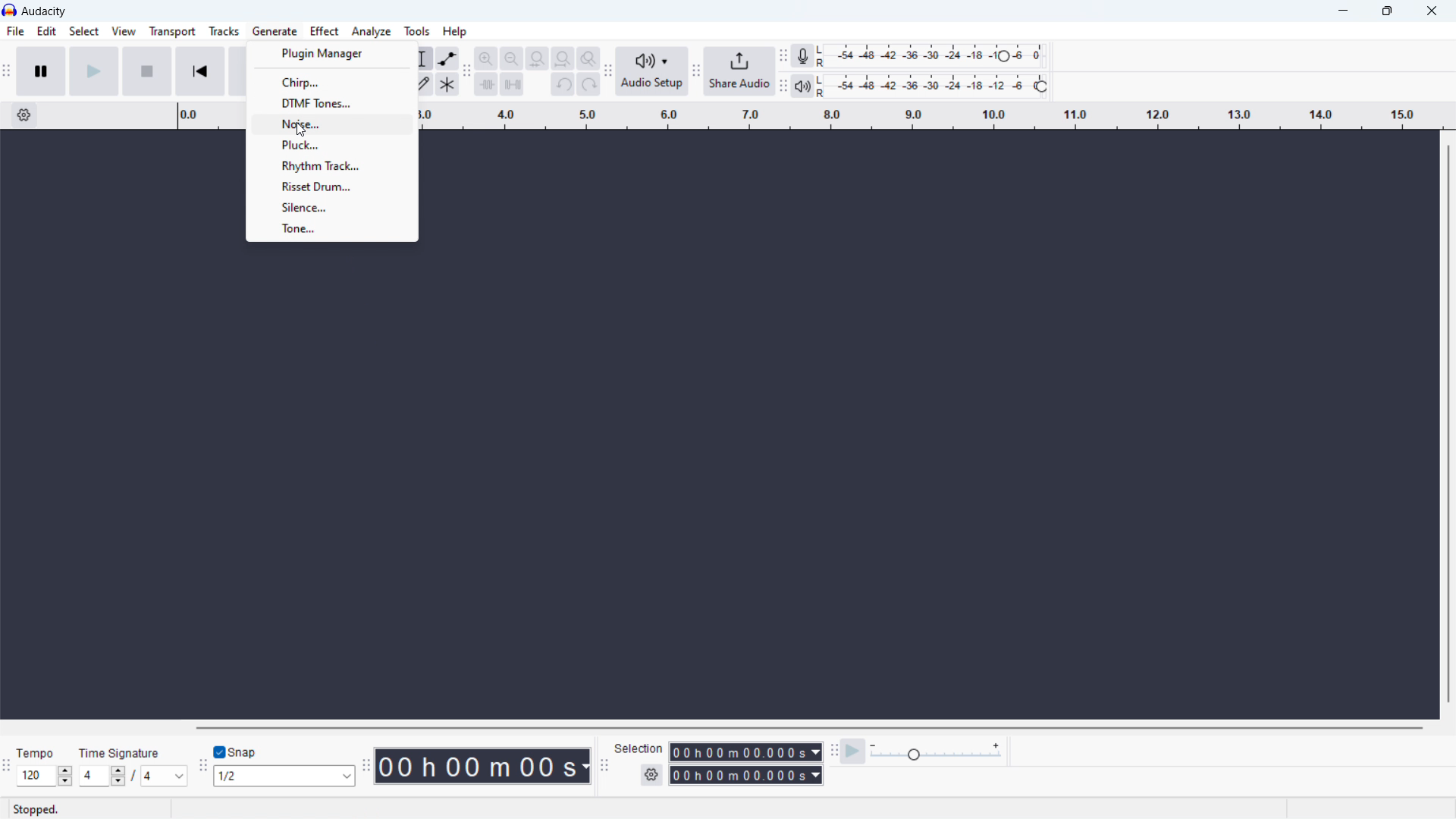  What do you see at coordinates (123, 31) in the screenshot?
I see `view` at bounding box center [123, 31].